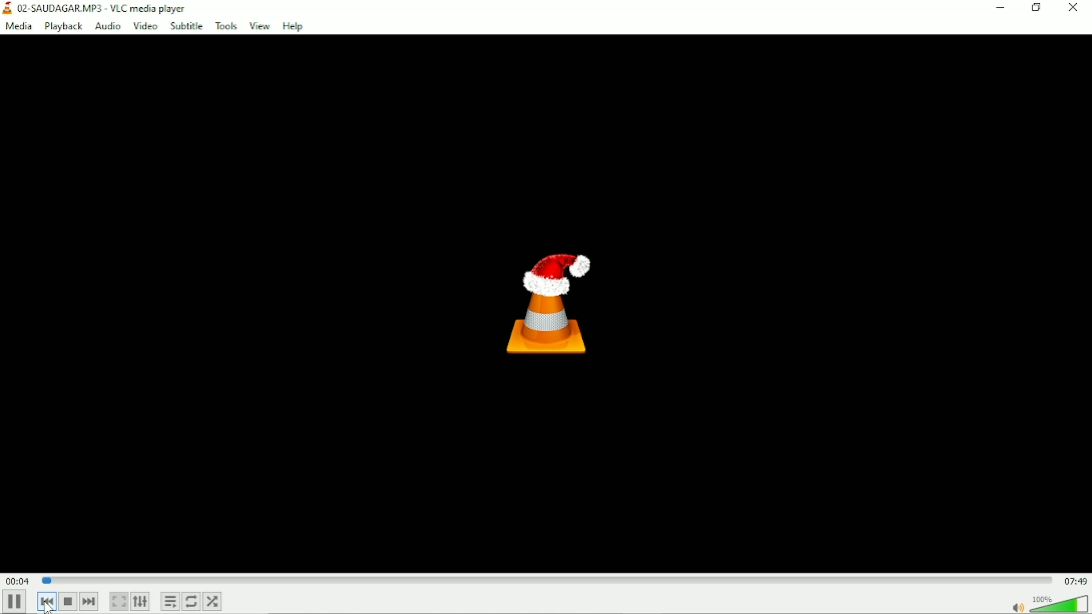 The image size is (1092, 614). What do you see at coordinates (144, 27) in the screenshot?
I see `Video` at bounding box center [144, 27].